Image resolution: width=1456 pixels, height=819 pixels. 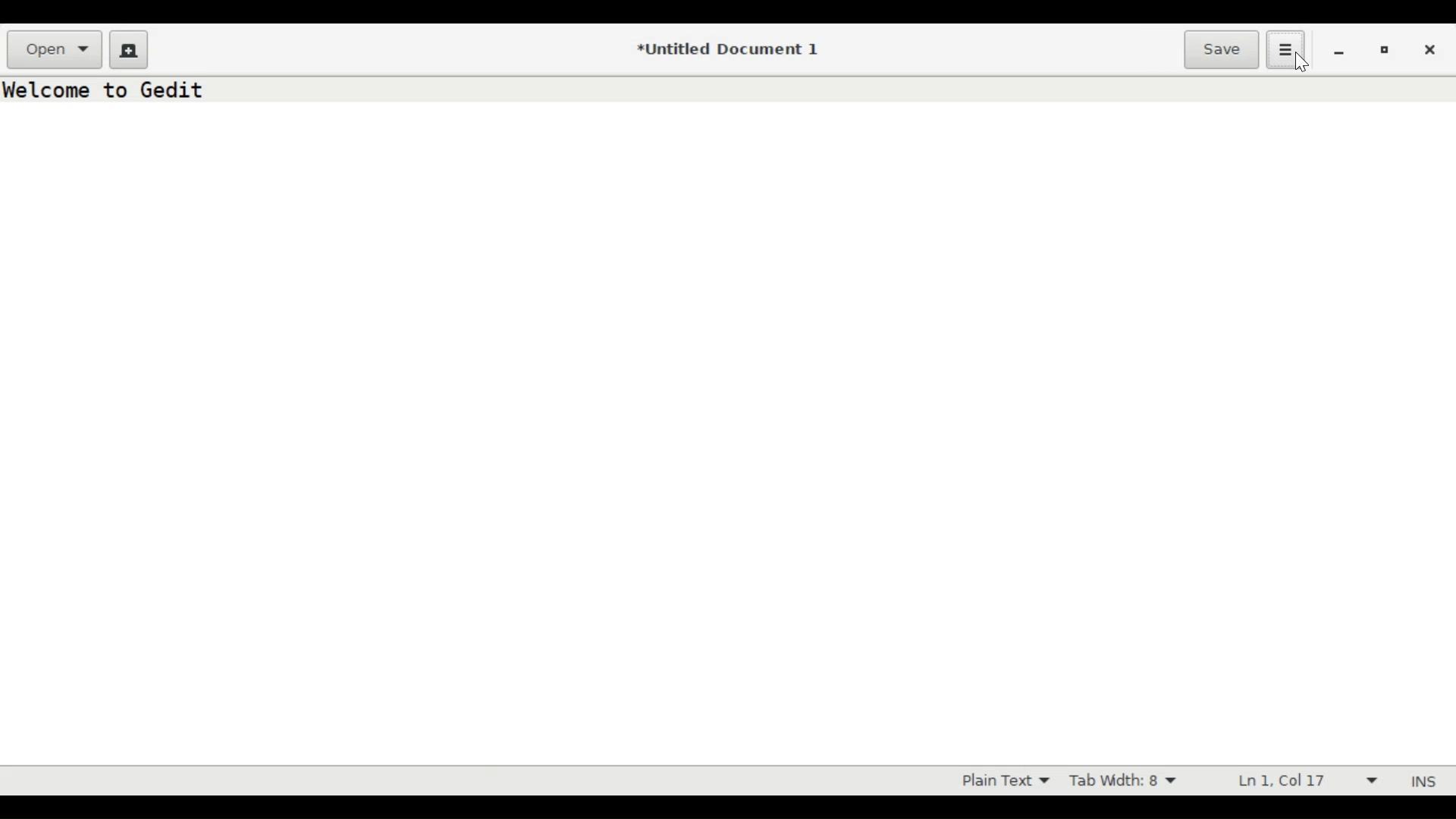 I want to click on Open, so click(x=54, y=50).